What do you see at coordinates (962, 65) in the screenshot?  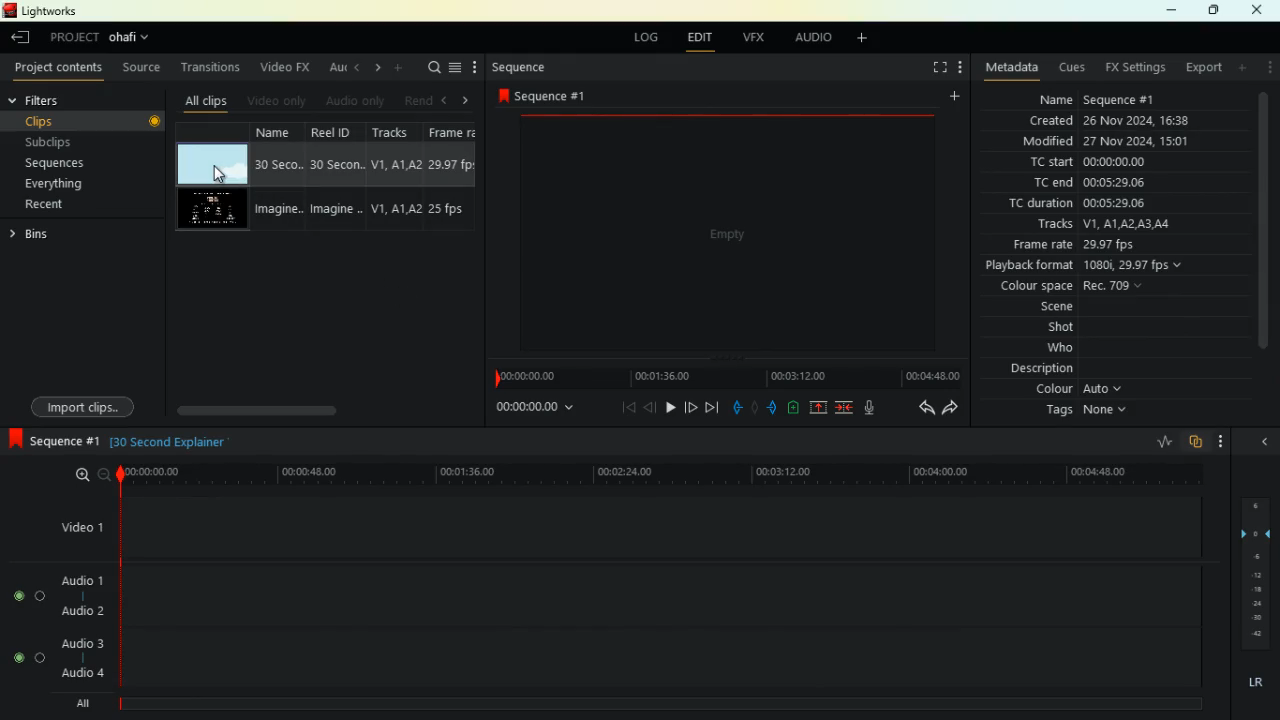 I see `more` at bounding box center [962, 65].